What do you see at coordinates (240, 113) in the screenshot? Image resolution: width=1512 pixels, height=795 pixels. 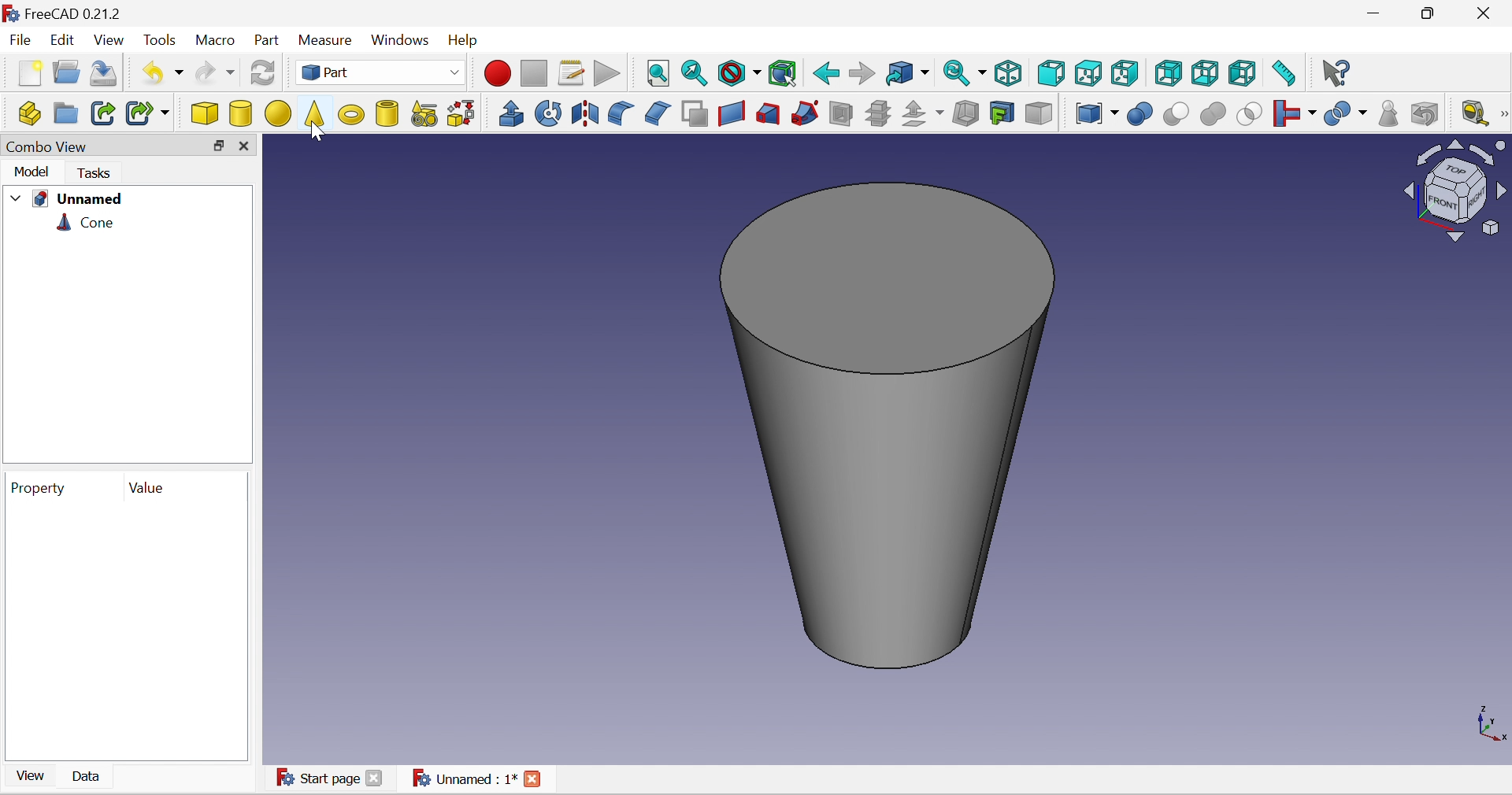 I see `Cylinder` at bounding box center [240, 113].